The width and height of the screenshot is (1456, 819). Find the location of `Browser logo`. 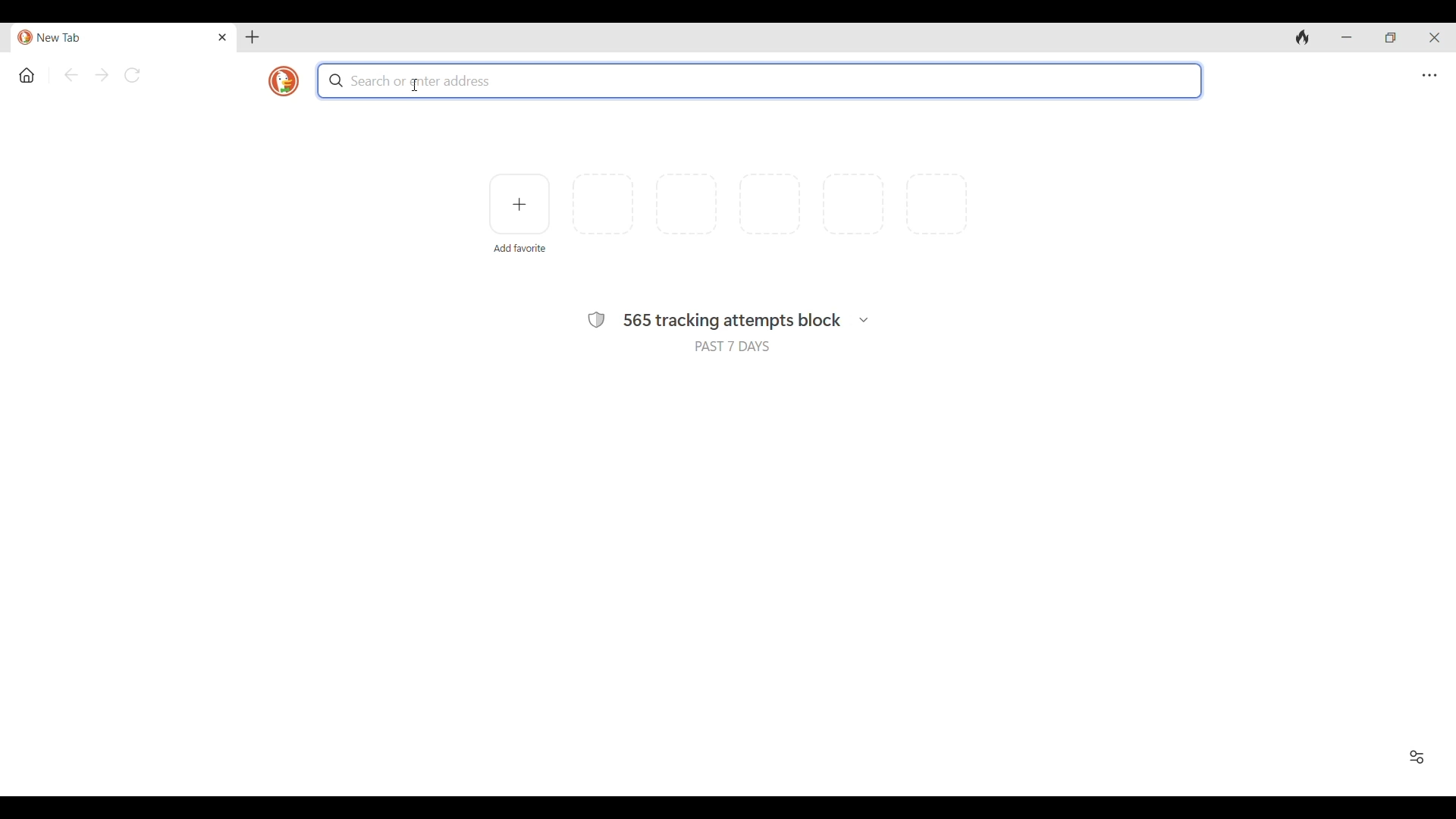

Browser logo is located at coordinates (284, 81).